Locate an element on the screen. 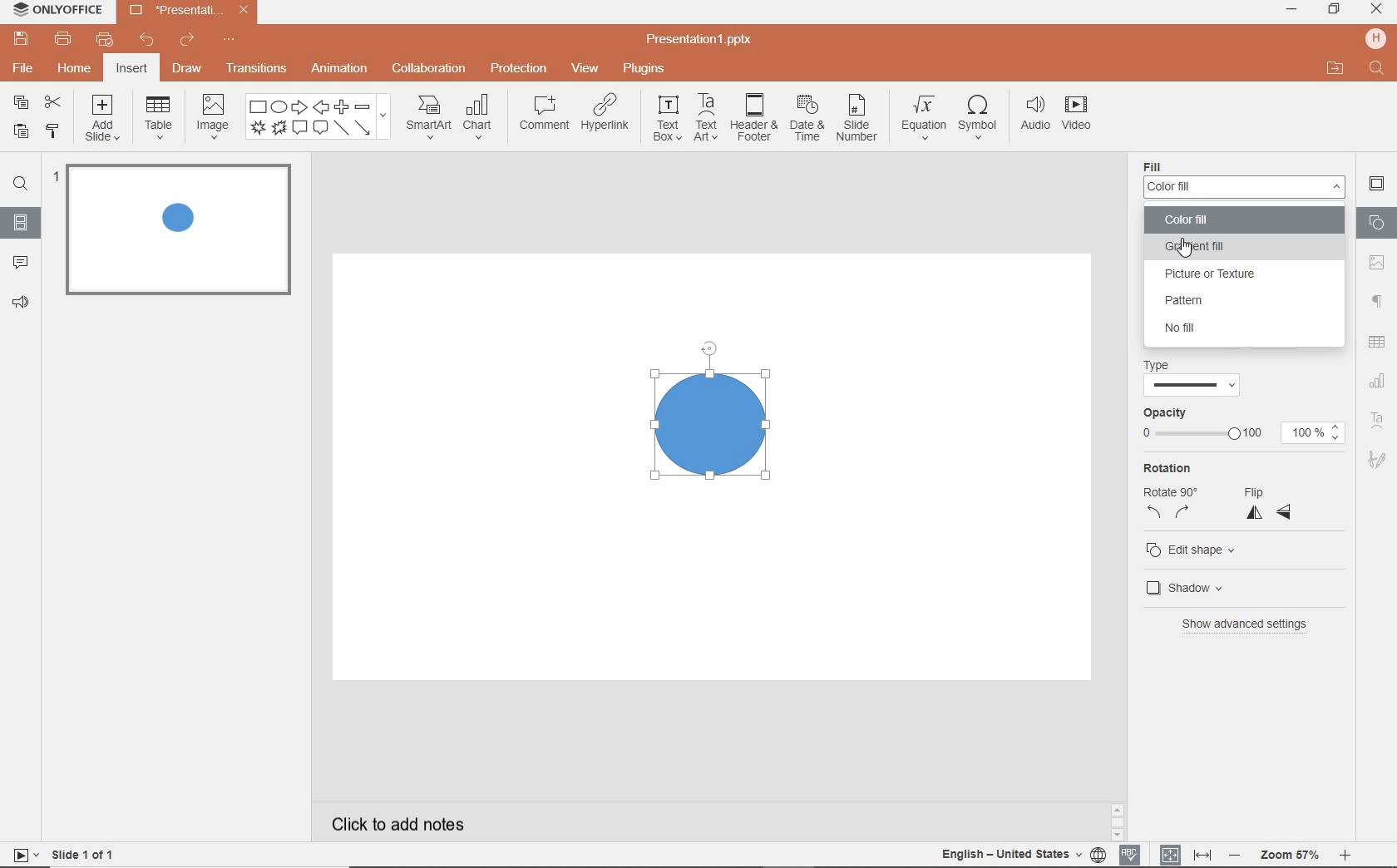  flip is located at coordinates (1270, 489).